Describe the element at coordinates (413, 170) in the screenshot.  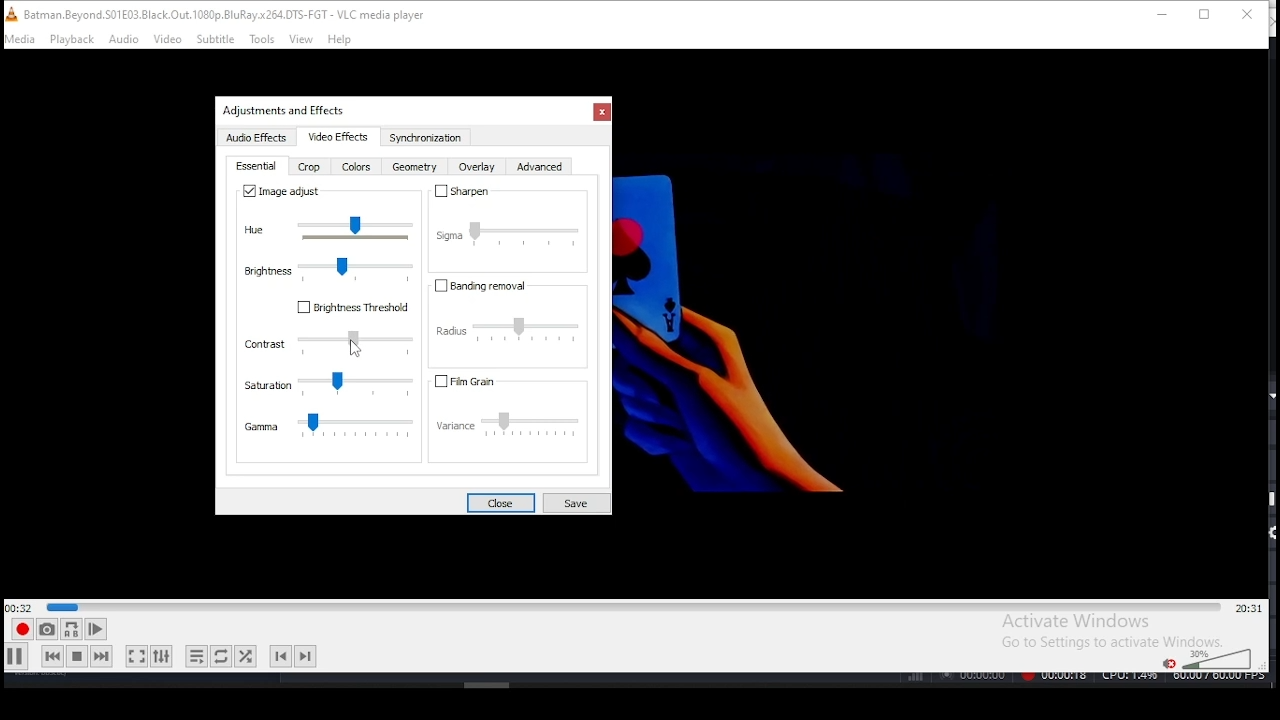
I see `geometry` at that location.